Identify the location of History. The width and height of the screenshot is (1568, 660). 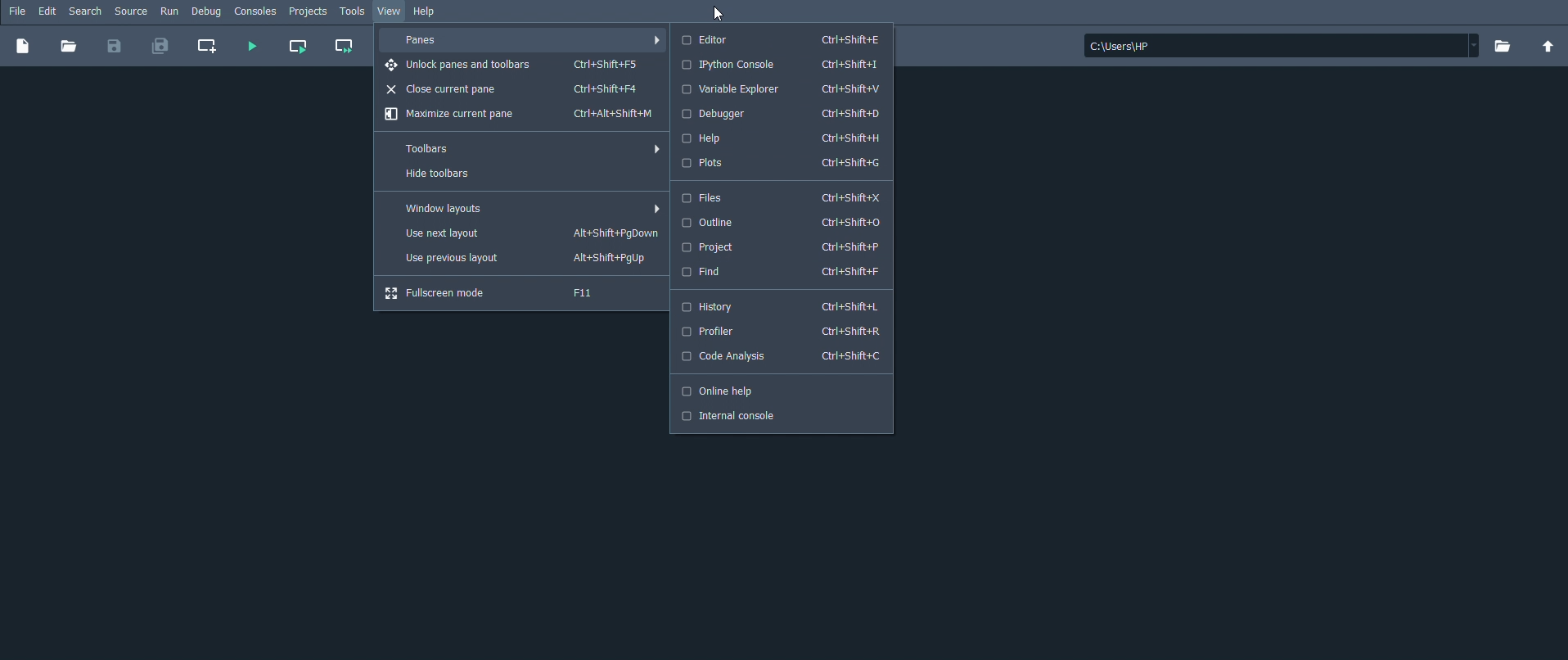
(786, 306).